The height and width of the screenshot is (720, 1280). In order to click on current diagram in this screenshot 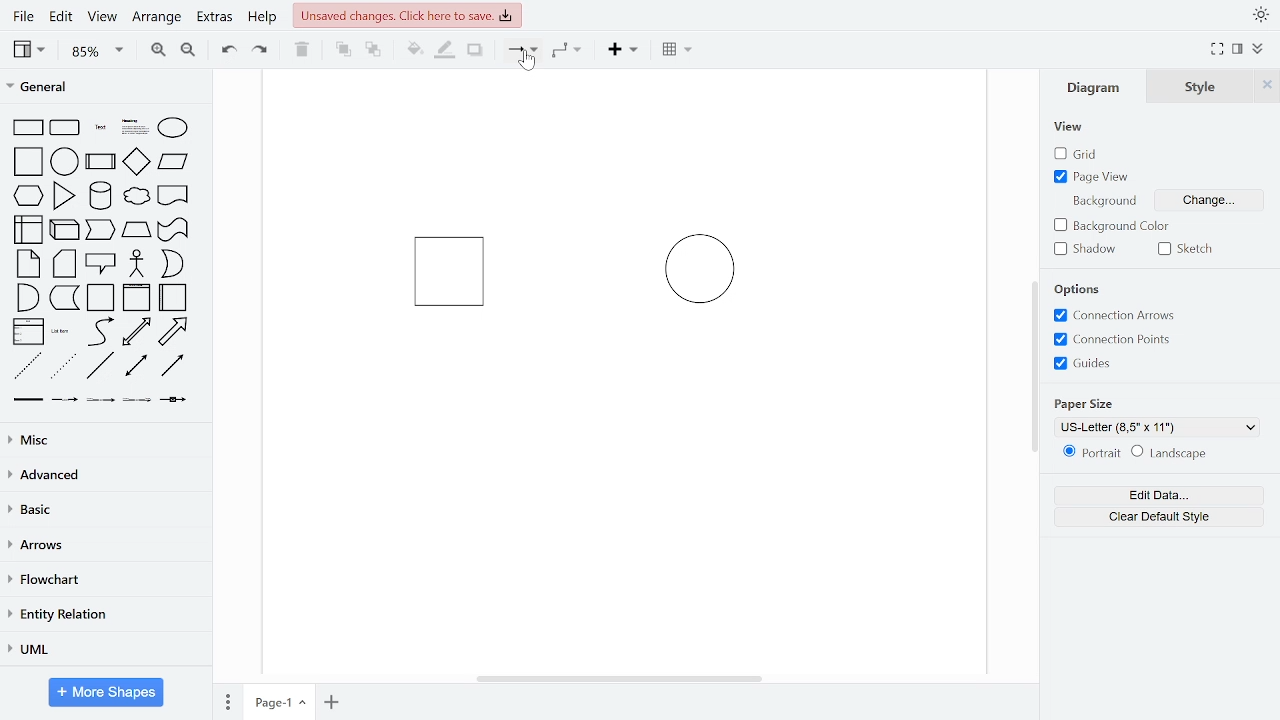, I will do `click(614, 311)`.